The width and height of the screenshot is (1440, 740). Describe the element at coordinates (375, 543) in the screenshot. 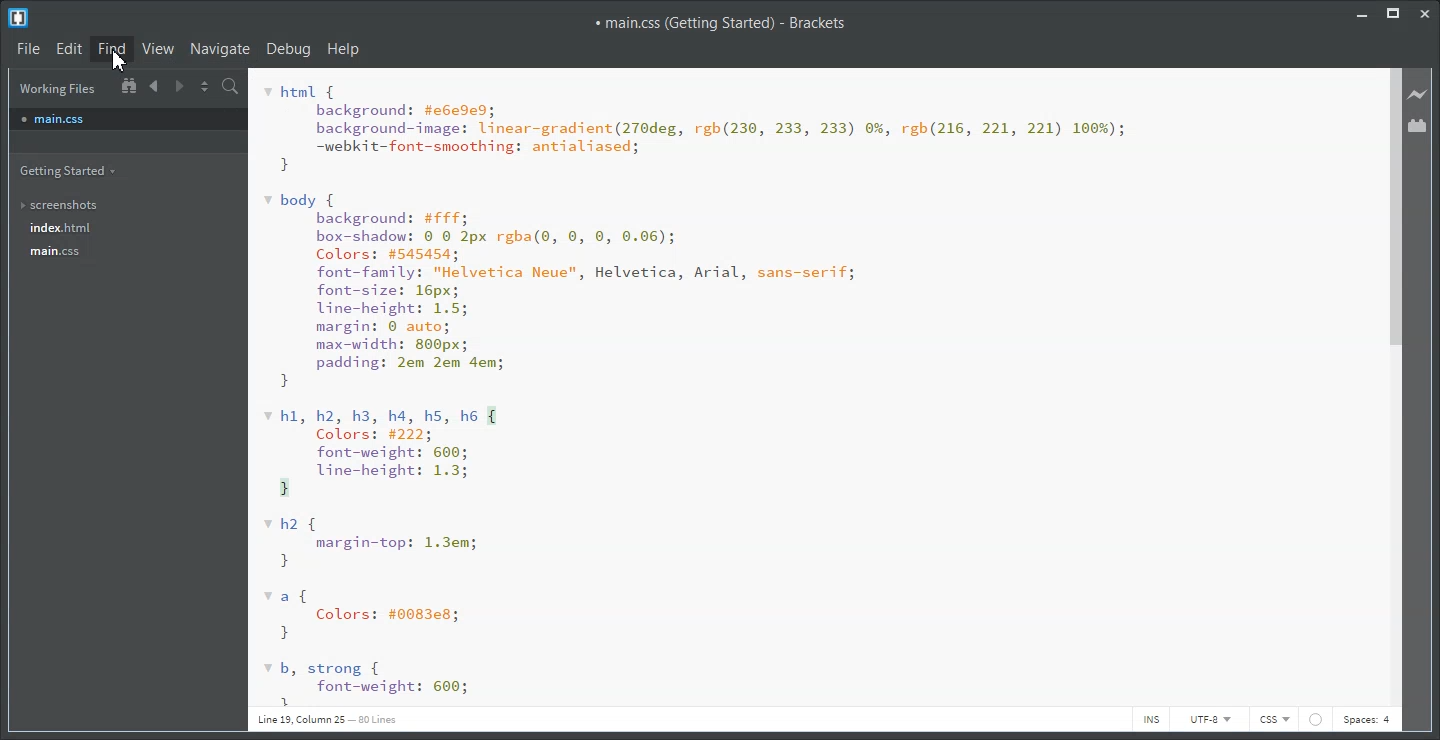

I see `vh2 {
margin-top: 1.3em;
}` at that location.